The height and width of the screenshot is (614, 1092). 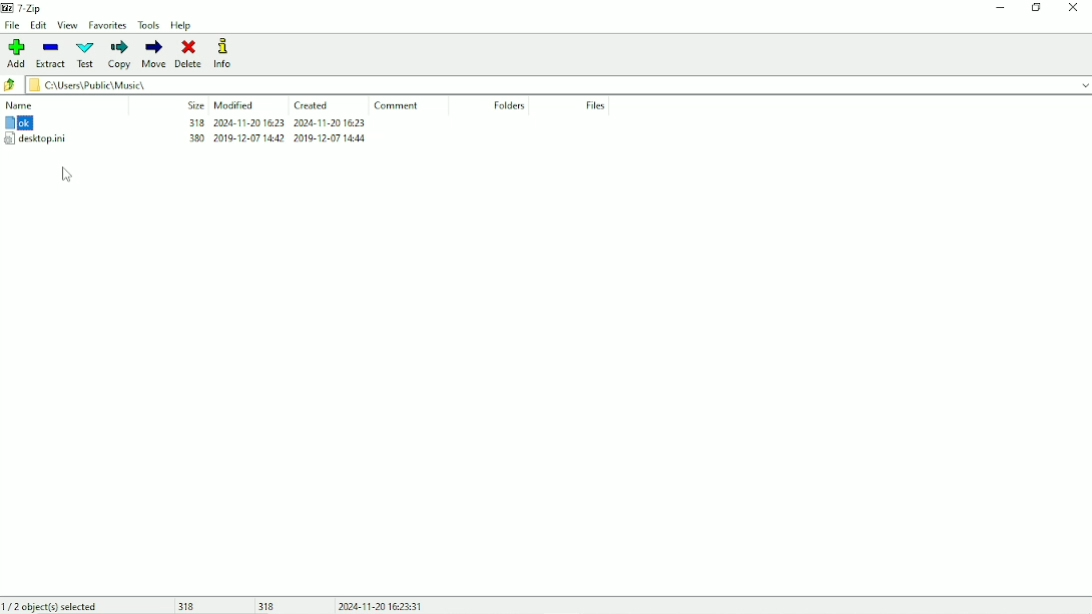 I want to click on Tools, so click(x=149, y=26).